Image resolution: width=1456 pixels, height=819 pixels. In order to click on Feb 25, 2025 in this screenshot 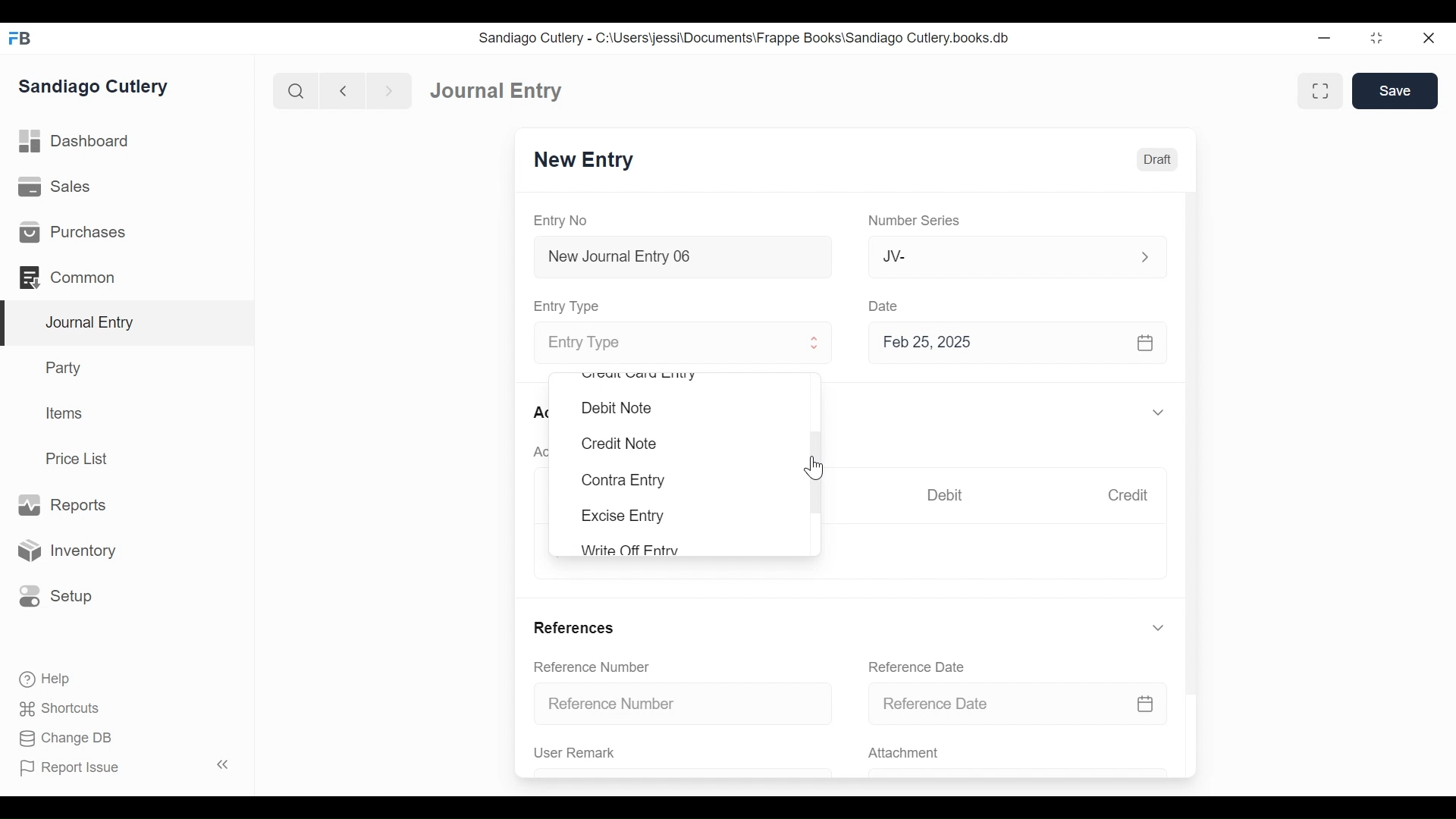, I will do `click(1011, 342)`.